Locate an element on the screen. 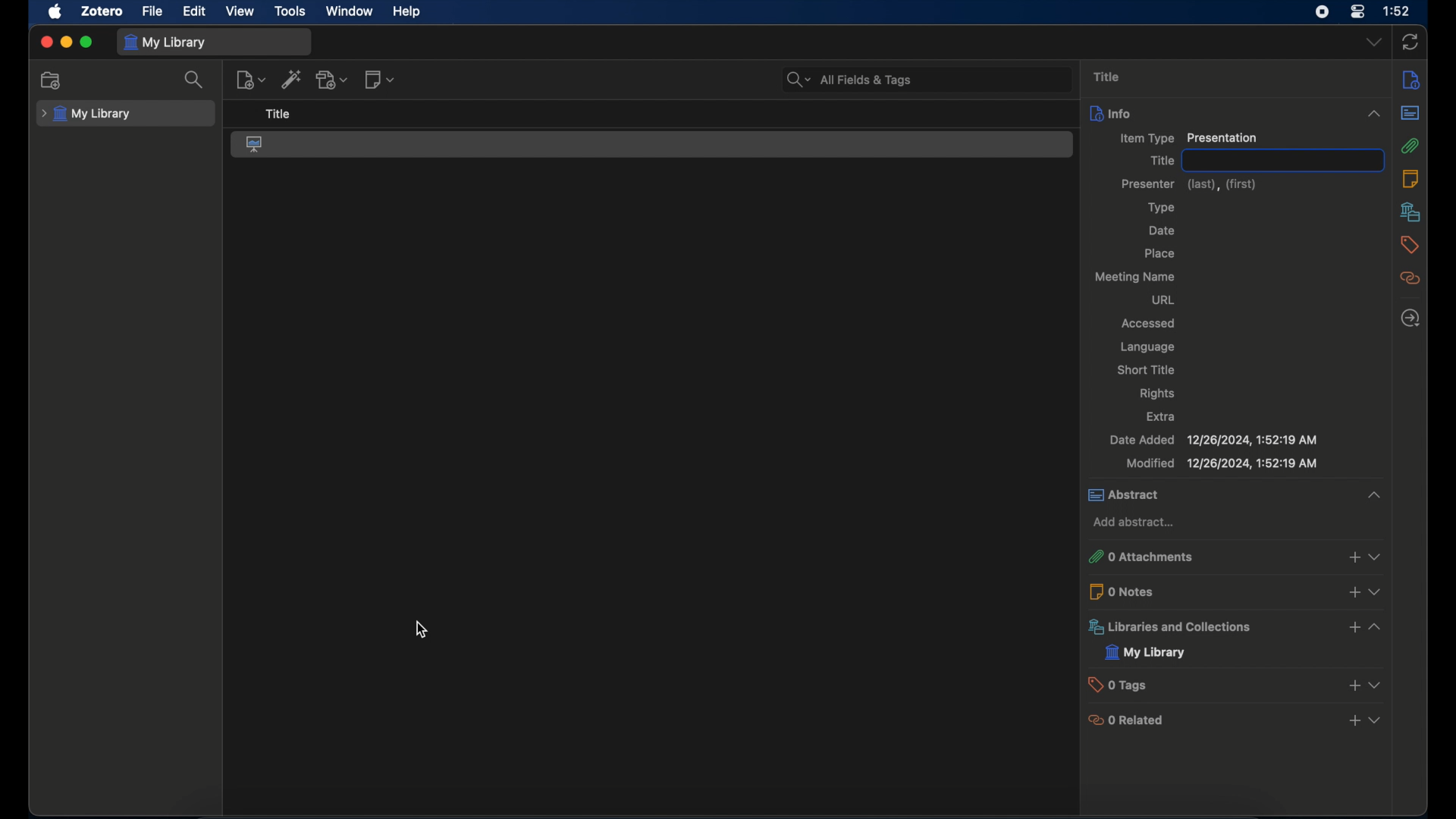 The height and width of the screenshot is (819, 1456). my library is located at coordinates (86, 115).